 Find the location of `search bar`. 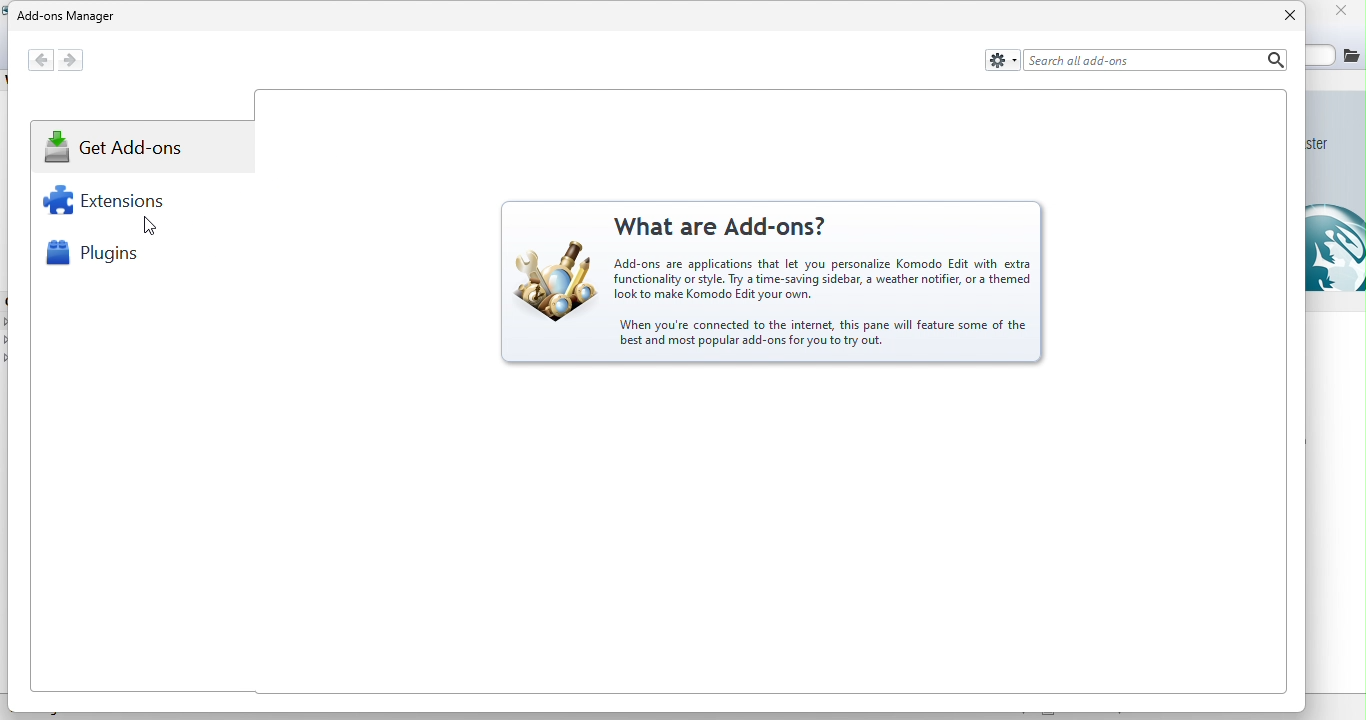

search bar is located at coordinates (1154, 60).